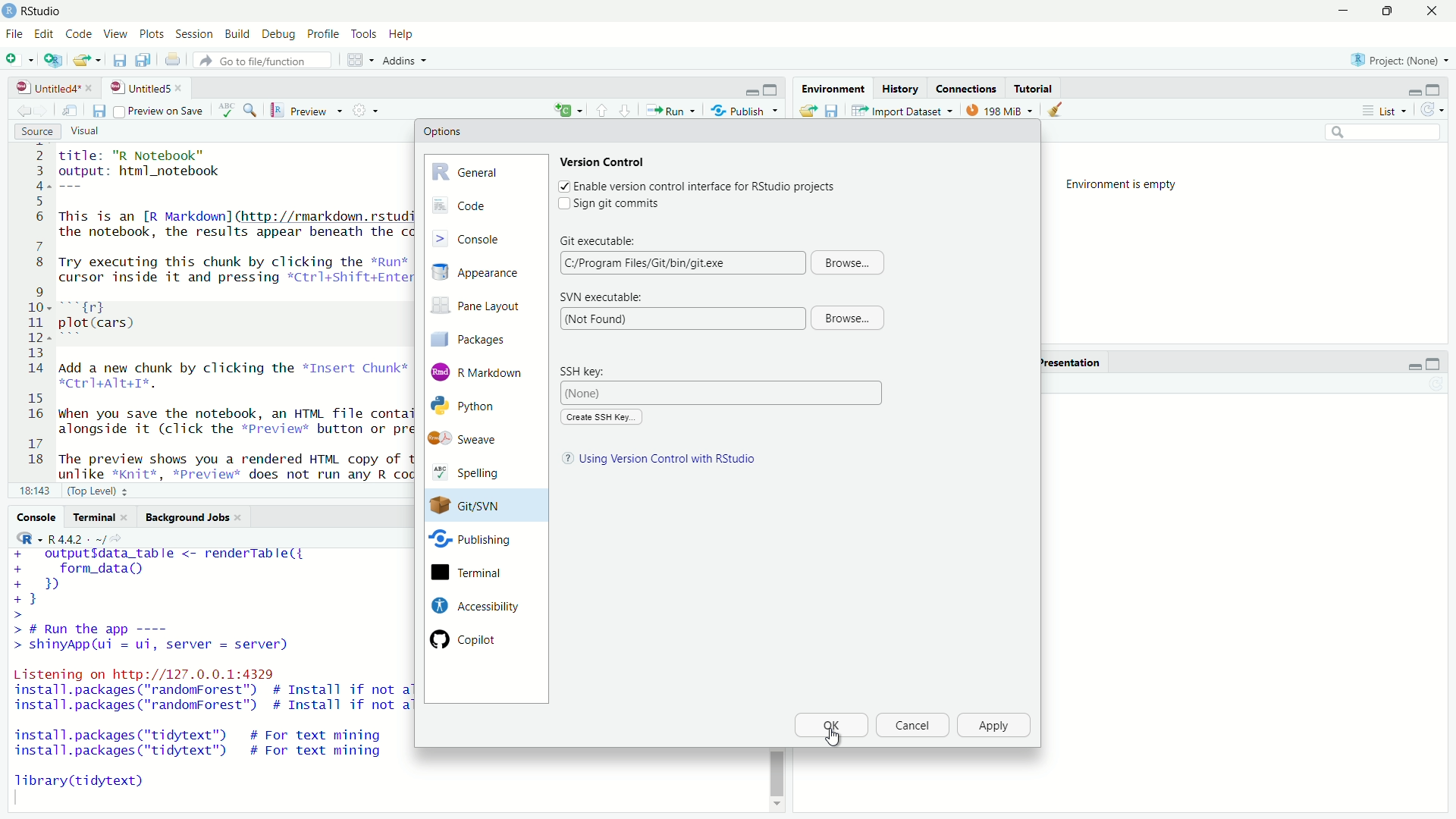 The height and width of the screenshot is (819, 1456). I want to click on workspace panes, so click(362, 60).